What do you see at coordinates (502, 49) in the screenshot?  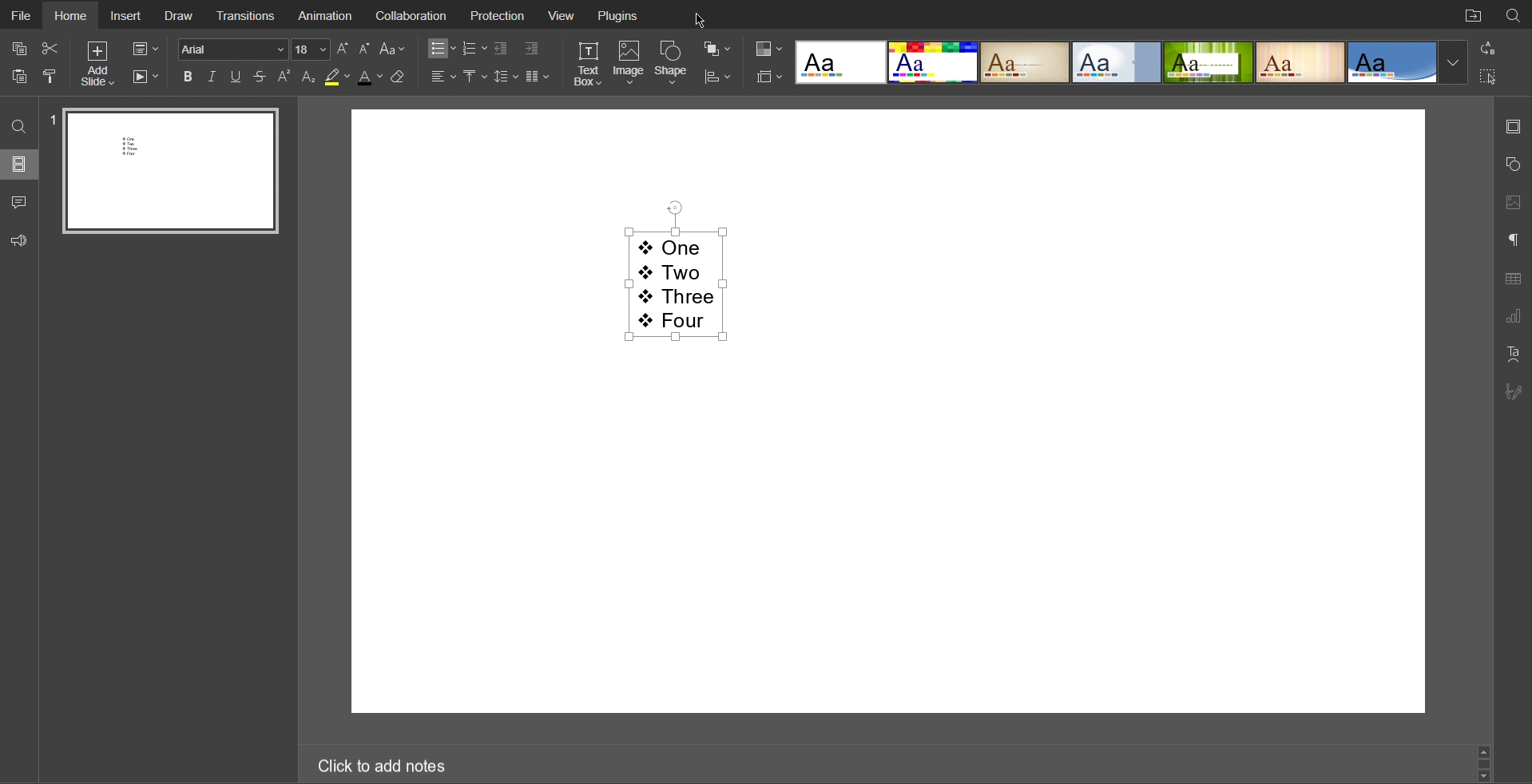 I see `Decrease Indent` at bounding box center [502, 49].